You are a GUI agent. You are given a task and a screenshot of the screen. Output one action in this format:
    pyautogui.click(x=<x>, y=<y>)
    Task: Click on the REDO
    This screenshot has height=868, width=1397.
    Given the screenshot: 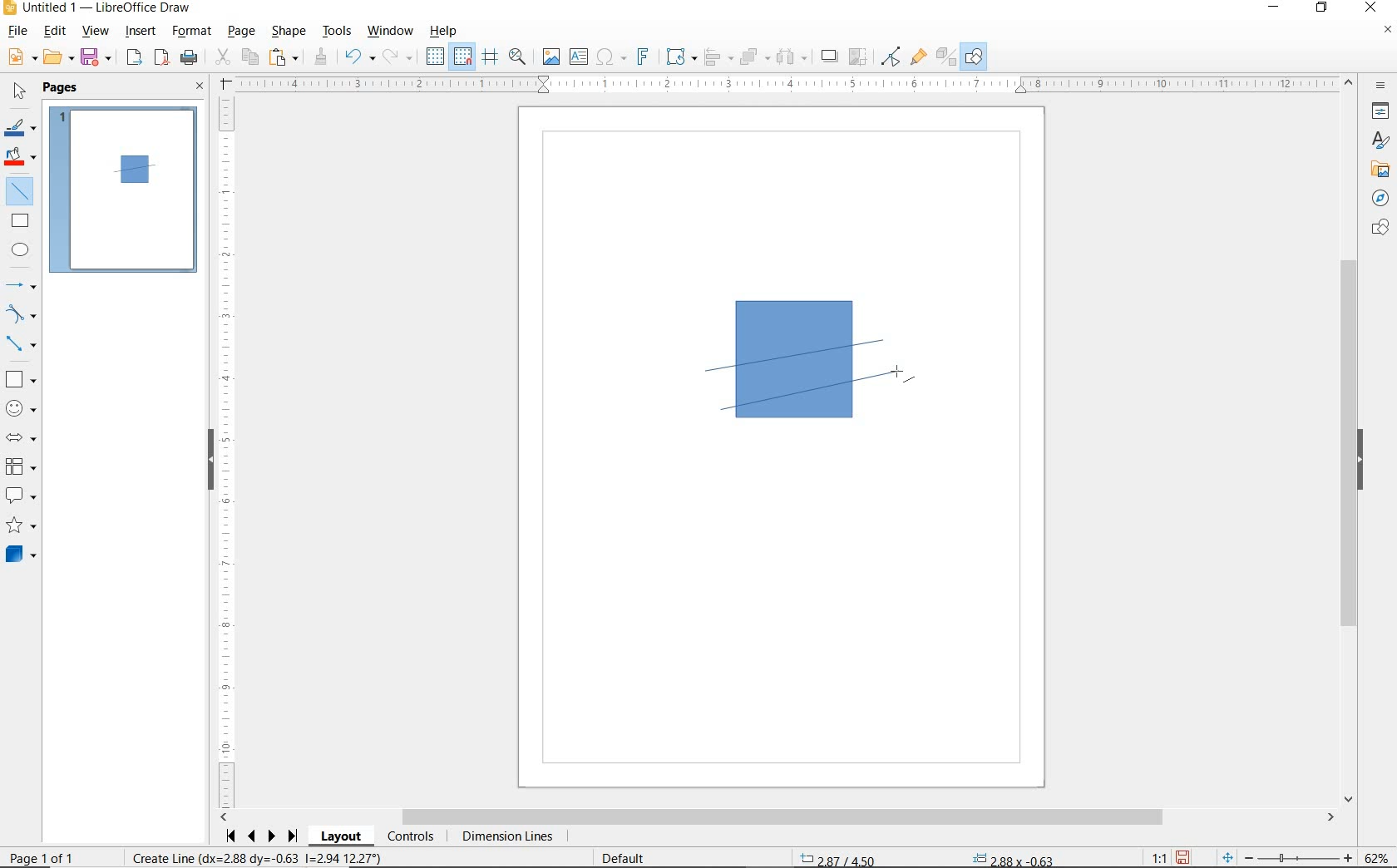 What is the action you would take?
    pyautogui.click(x=402, y=57)
    